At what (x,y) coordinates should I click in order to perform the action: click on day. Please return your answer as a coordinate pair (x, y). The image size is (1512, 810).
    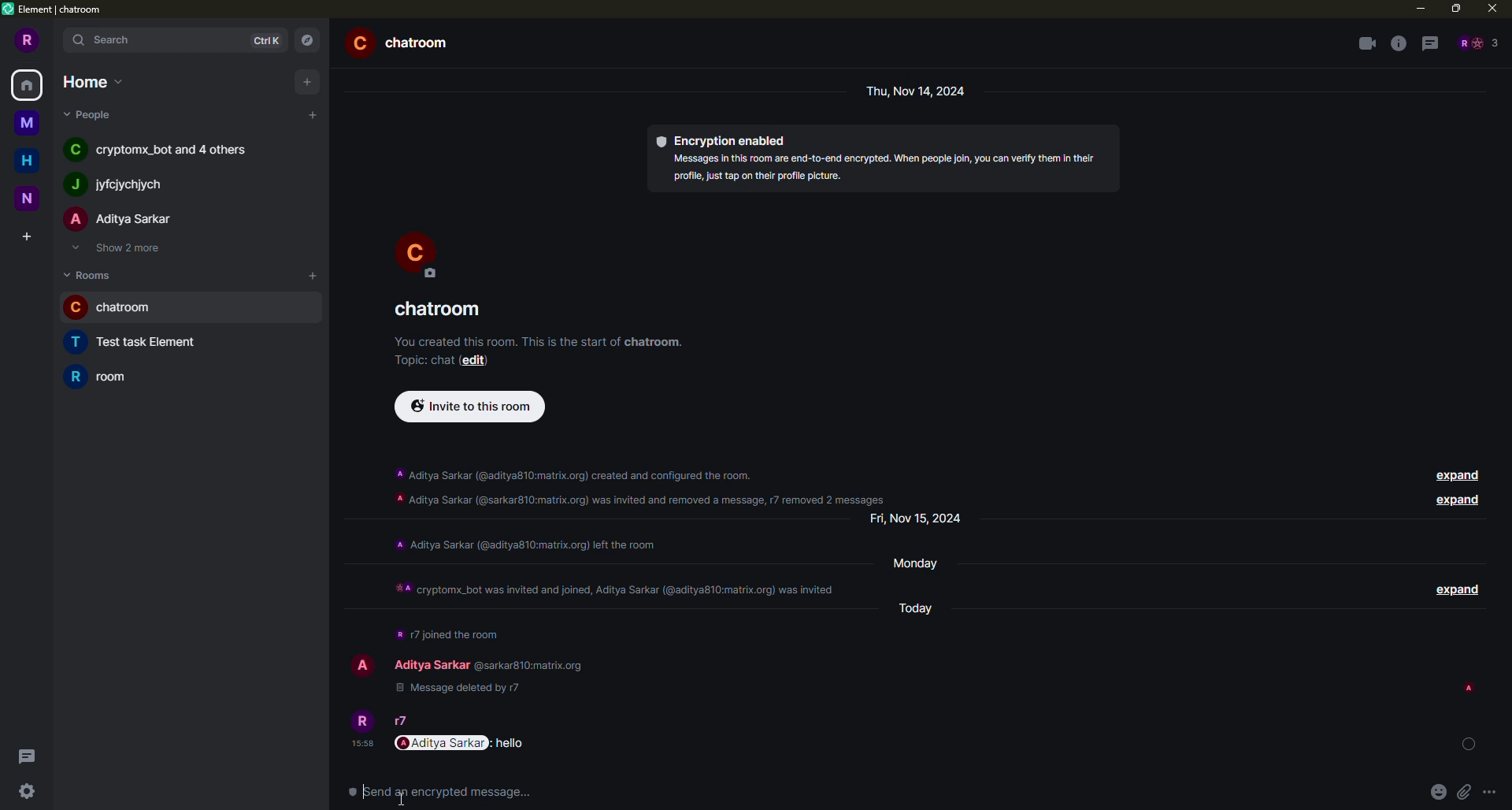
    Looking at the image, I should click on (929, 91).